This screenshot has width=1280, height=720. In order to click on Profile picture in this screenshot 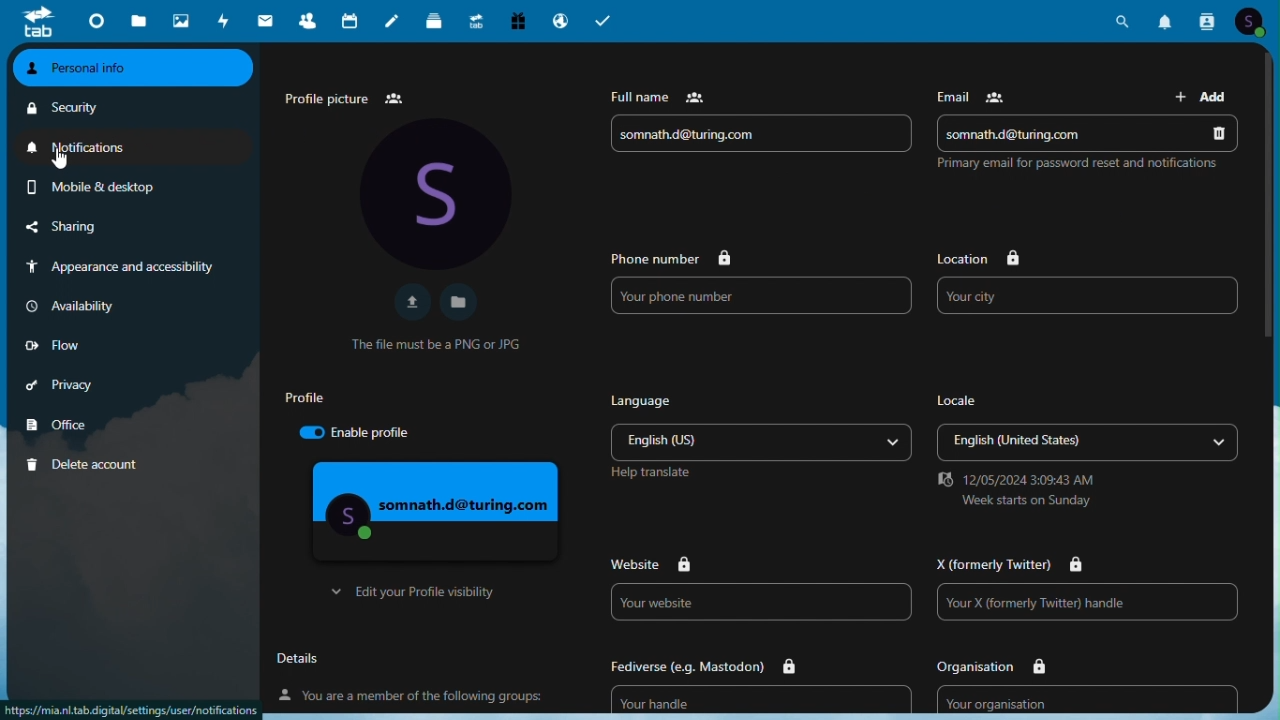, I will do `click(350, 100)`.